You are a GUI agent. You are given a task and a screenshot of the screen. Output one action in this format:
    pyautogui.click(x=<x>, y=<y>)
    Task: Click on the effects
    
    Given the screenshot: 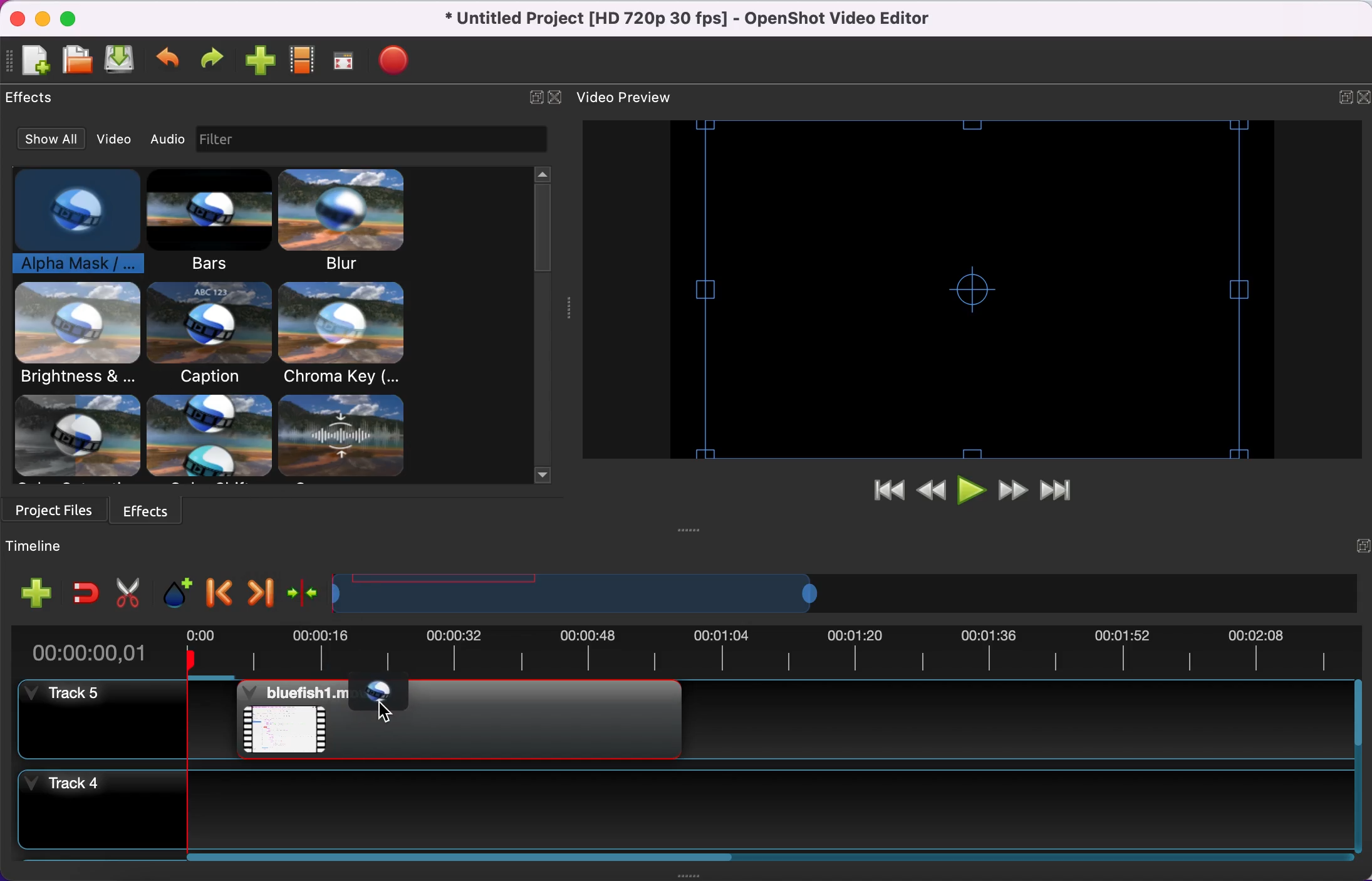 What is the action you would take?
    pyautogui.click(x=33, y=100)
    